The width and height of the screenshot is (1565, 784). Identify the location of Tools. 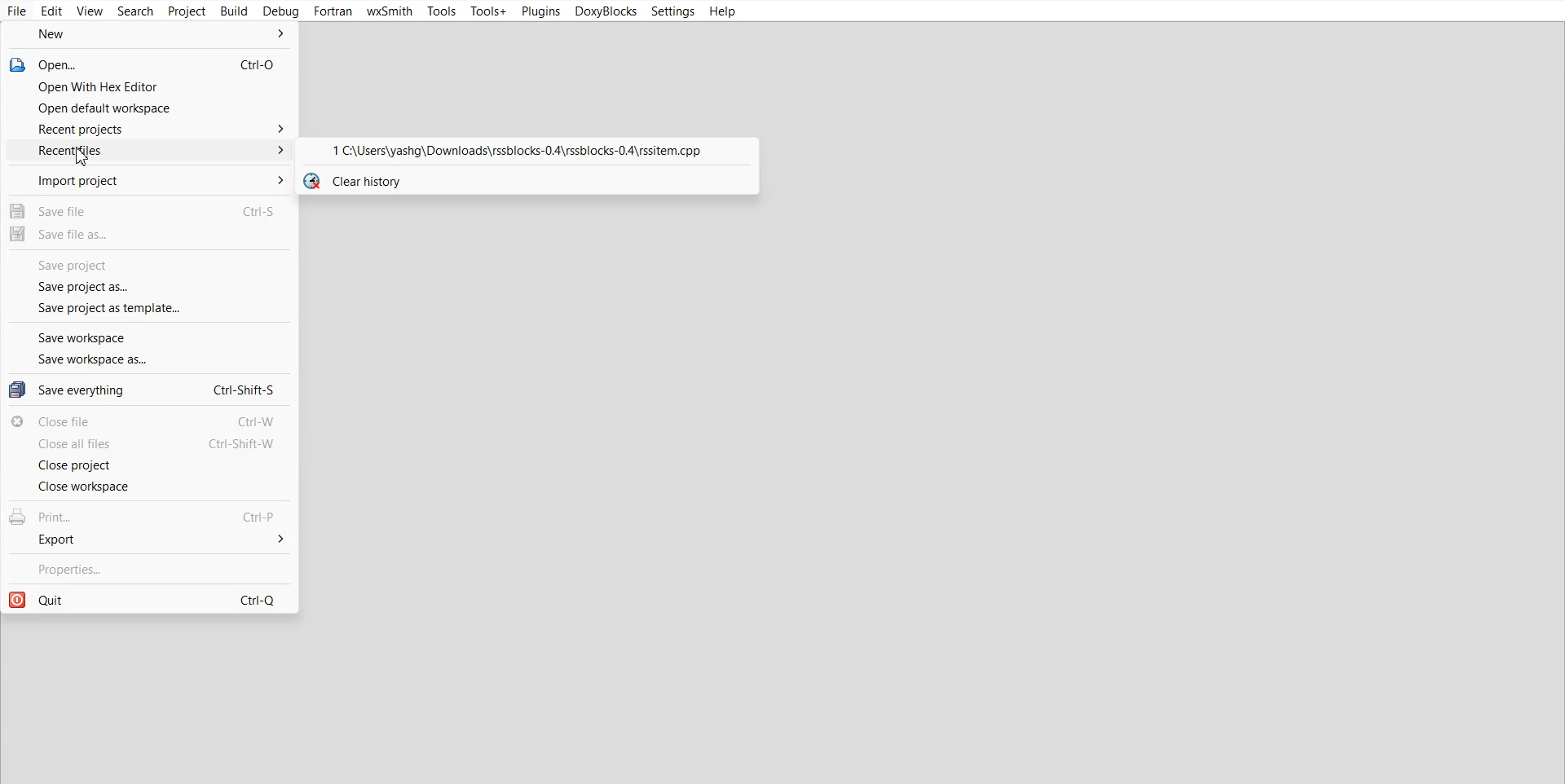
(441, 12).